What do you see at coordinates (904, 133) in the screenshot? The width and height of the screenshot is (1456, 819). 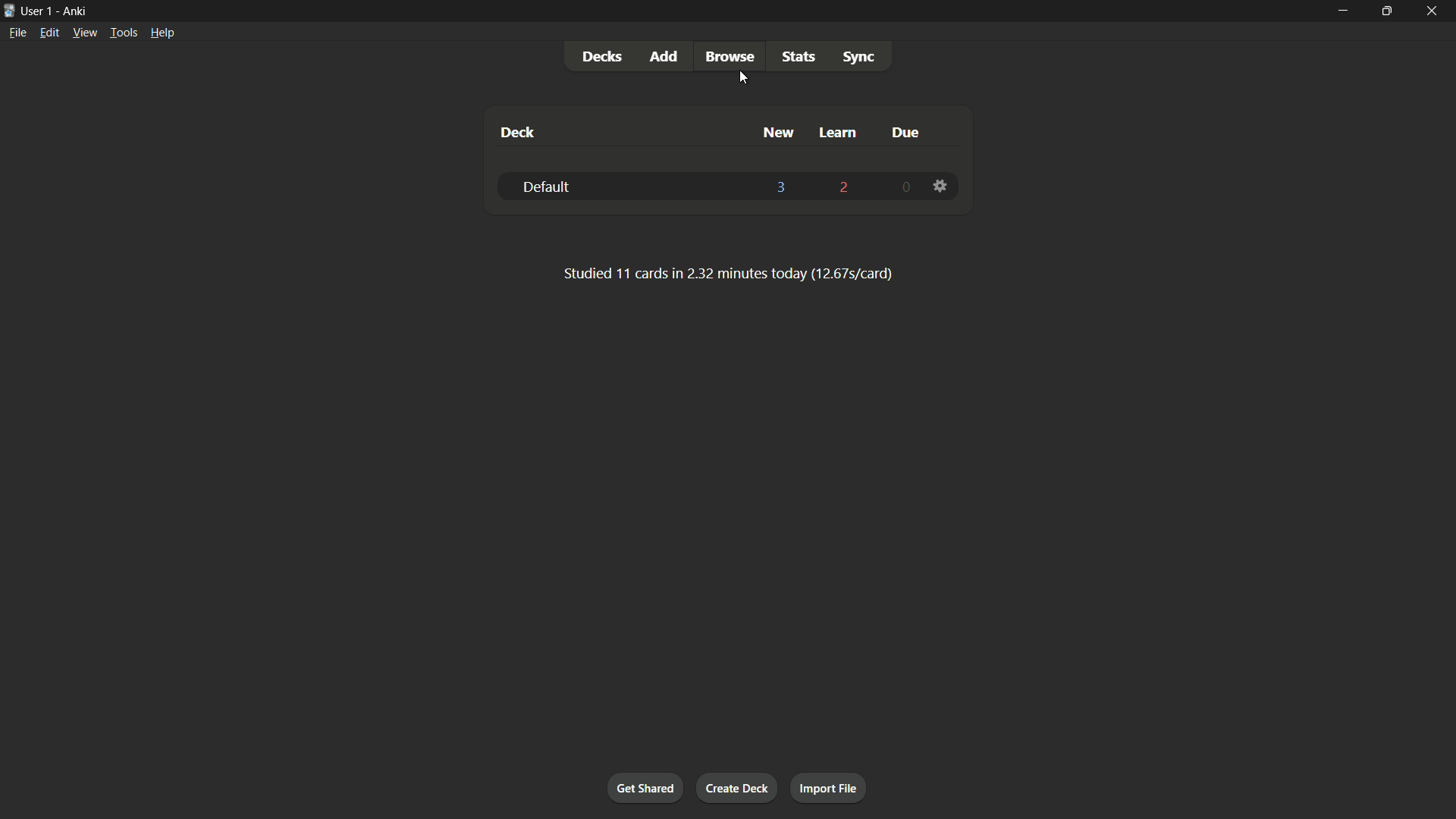 I see `due` at bounding box center [904, 133].